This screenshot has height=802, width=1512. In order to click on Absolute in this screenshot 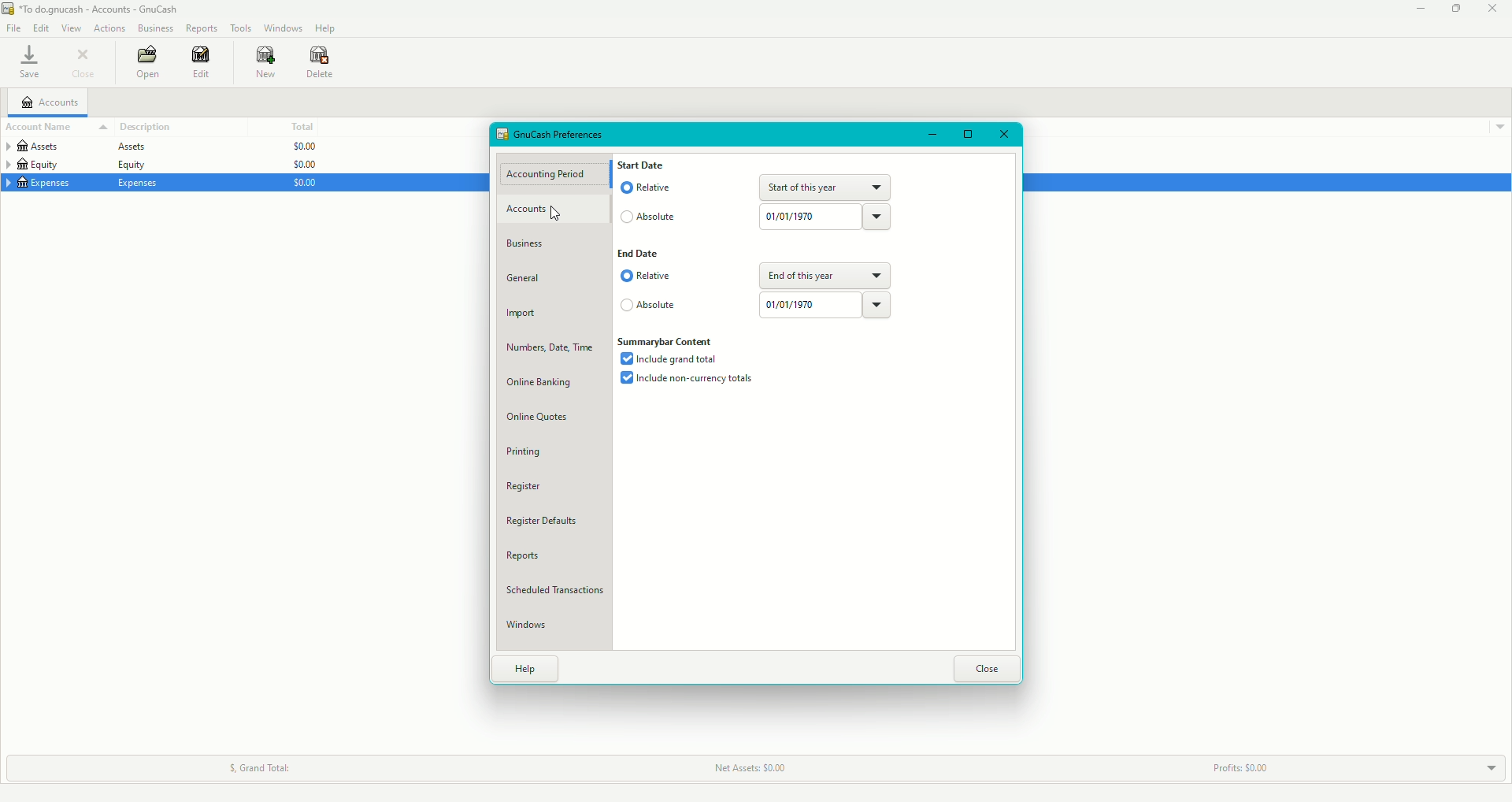, I will do `click(650, 221)`.